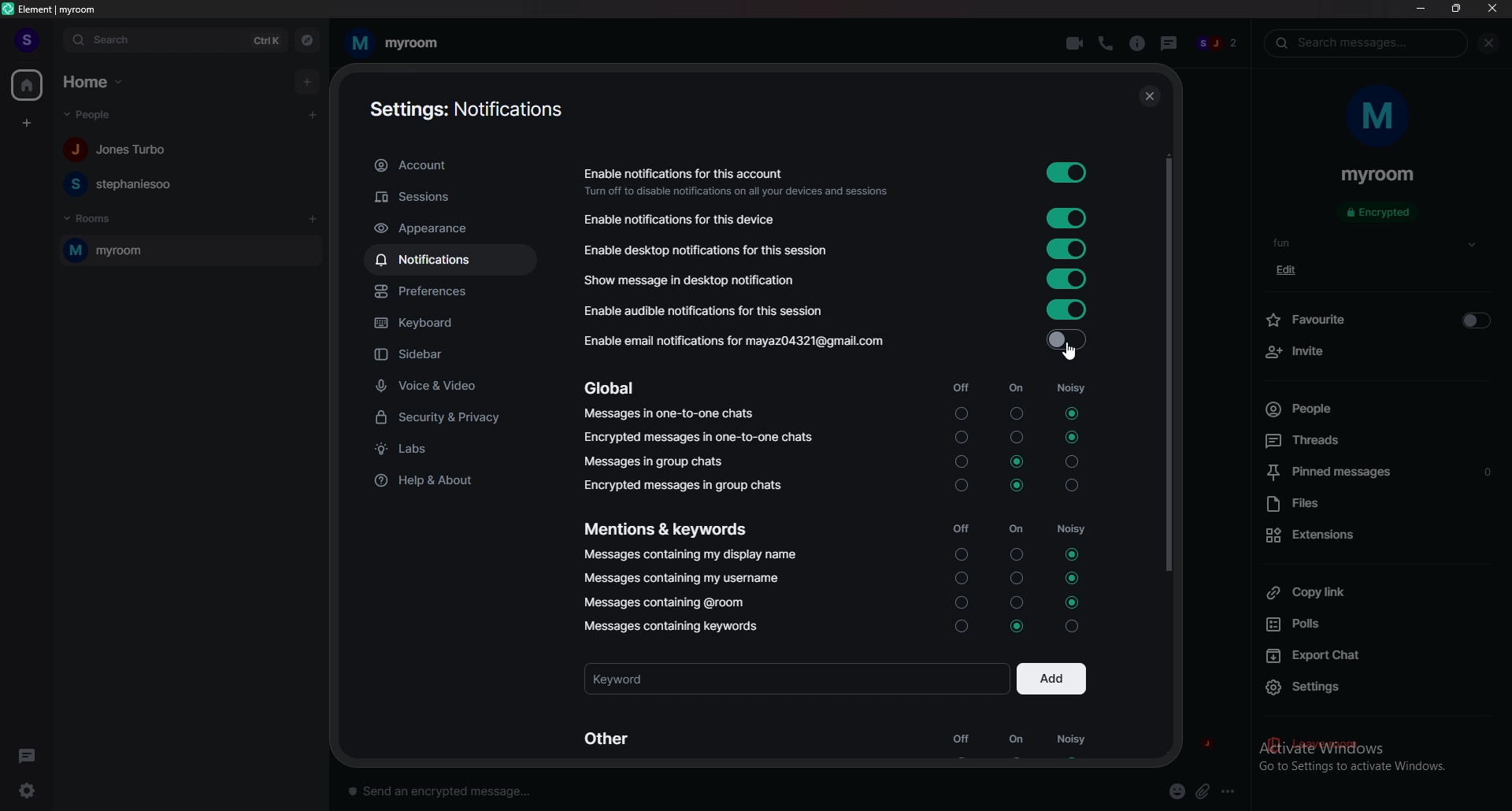  I want to click on close, so click(1492, 8).